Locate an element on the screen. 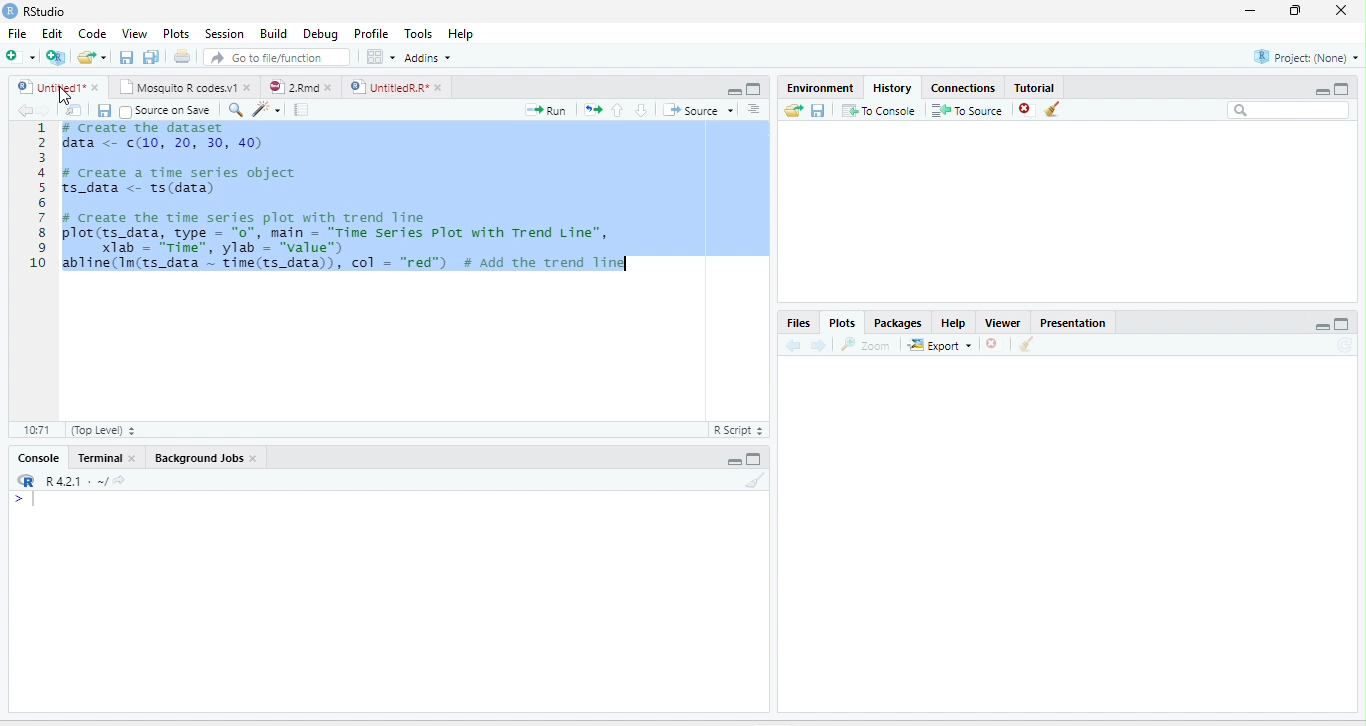 The image size is (1366, 726). Tools is located at coordinates (417, 33).